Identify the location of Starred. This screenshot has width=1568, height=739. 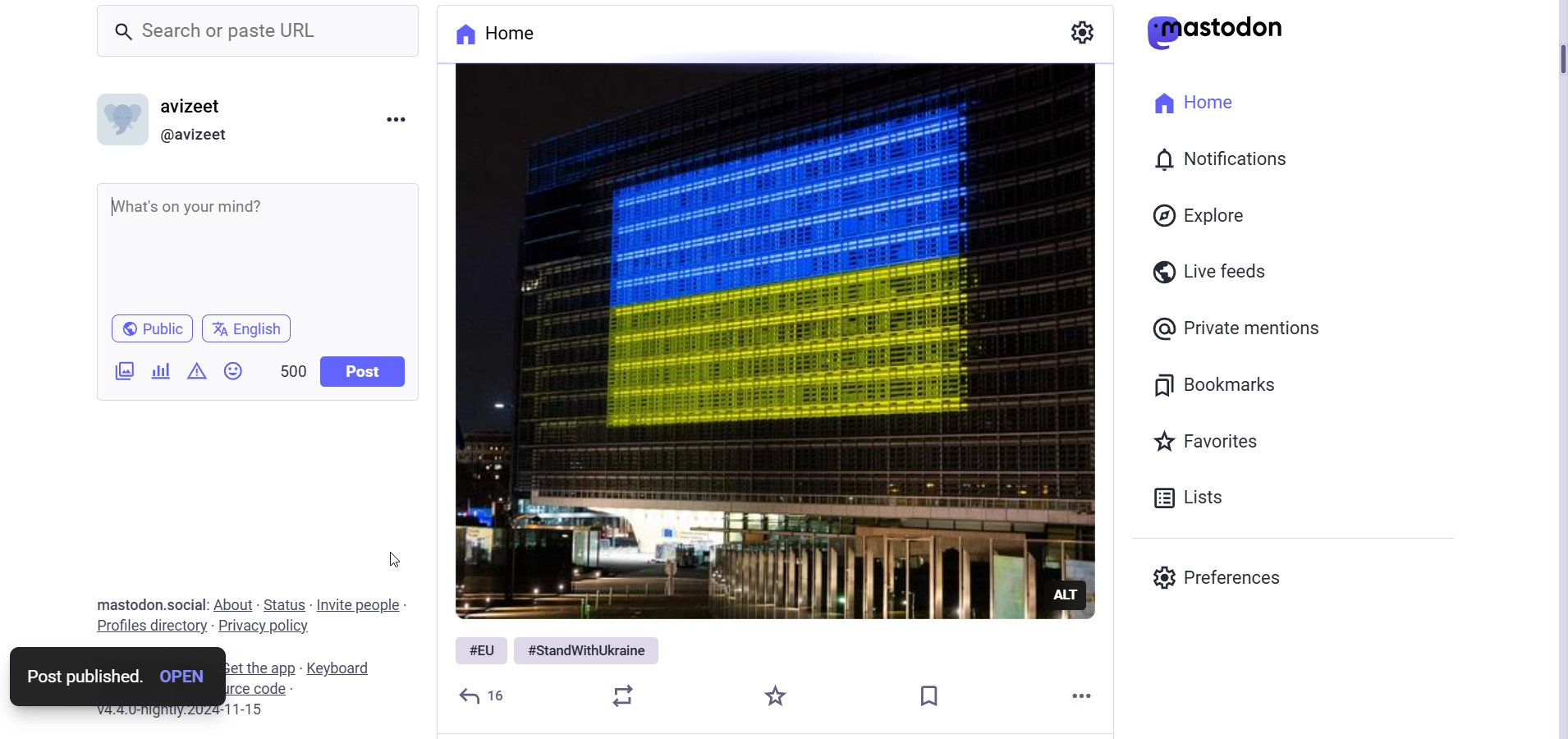
(777, 698).